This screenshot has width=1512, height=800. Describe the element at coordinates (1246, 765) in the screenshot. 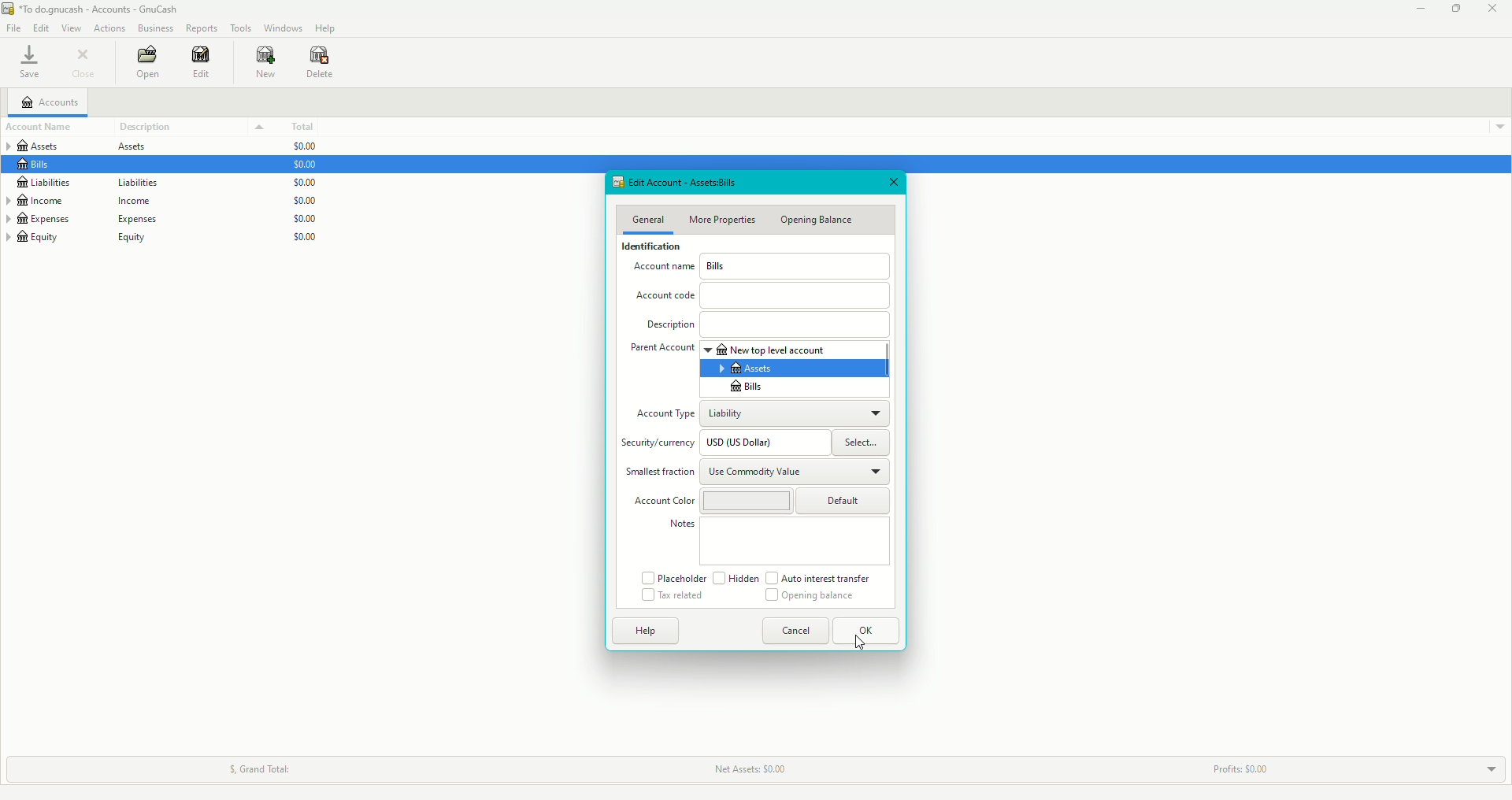

I see `Profits` at that location.